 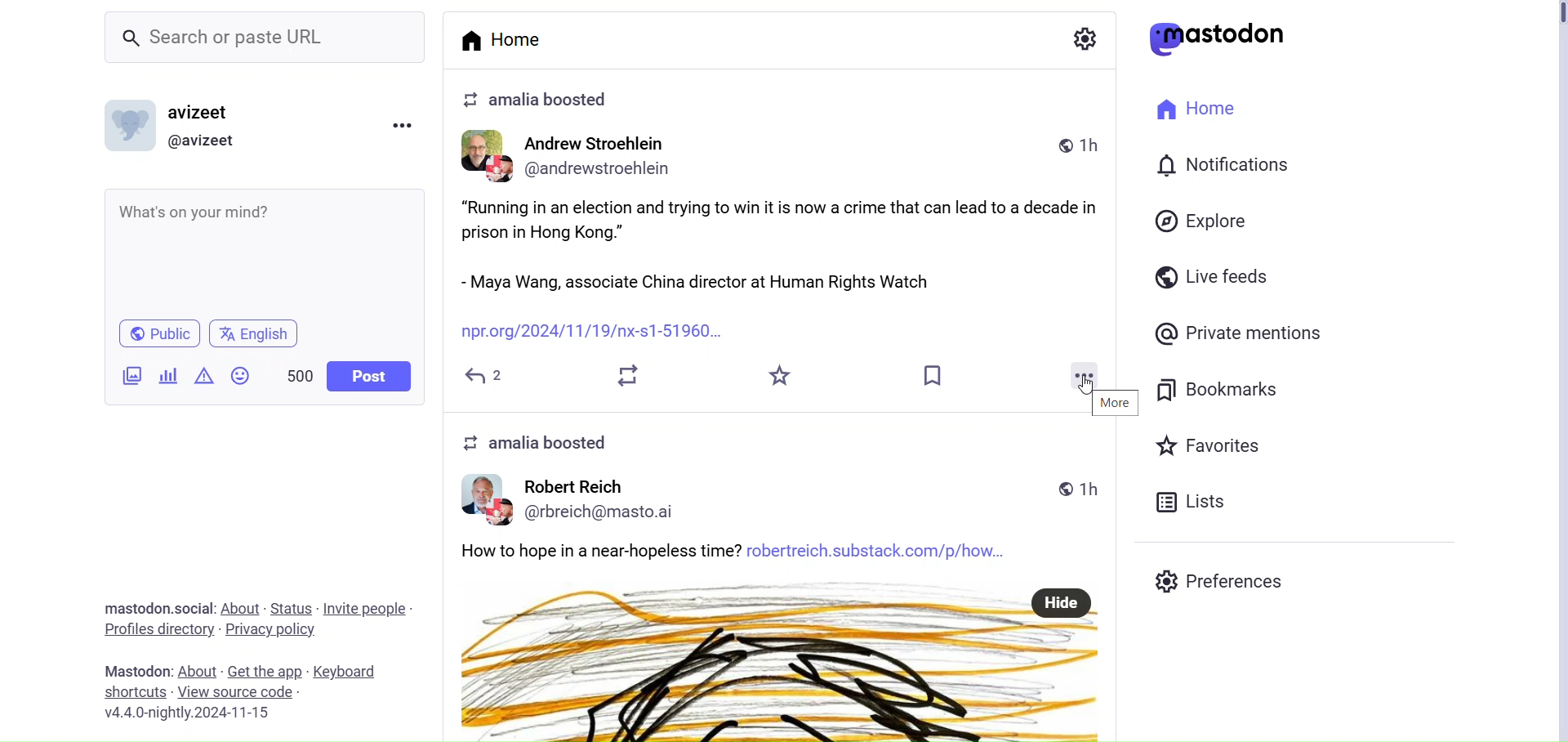 What do you see at coordinates (936, 373) in the screenshot?
I see `Bookmark` at bounding box center [936, 373].